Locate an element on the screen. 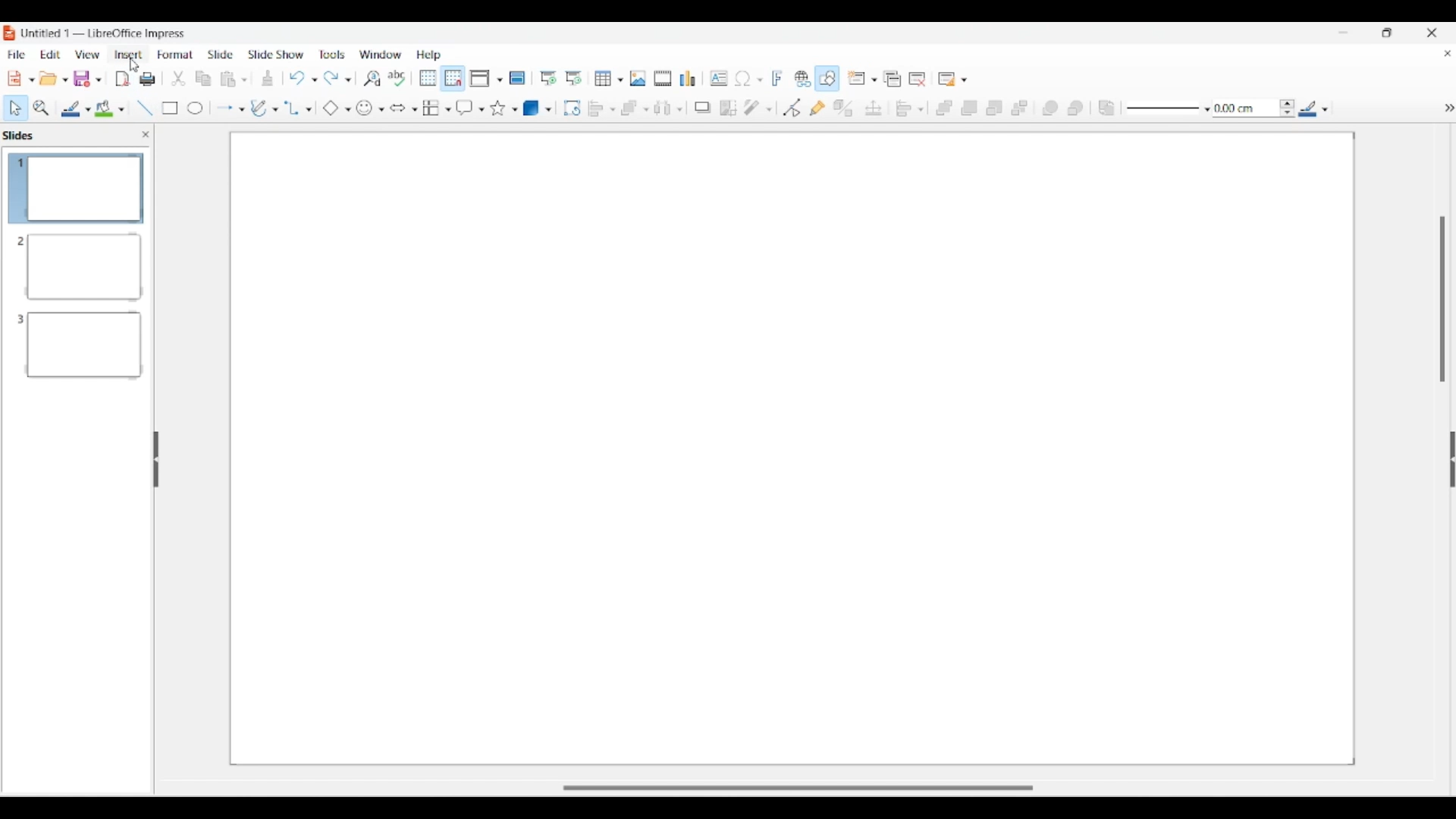 The width and height of the screenshot is (1456, 819). Curves and polygon options is located at coordinates (264, 108).